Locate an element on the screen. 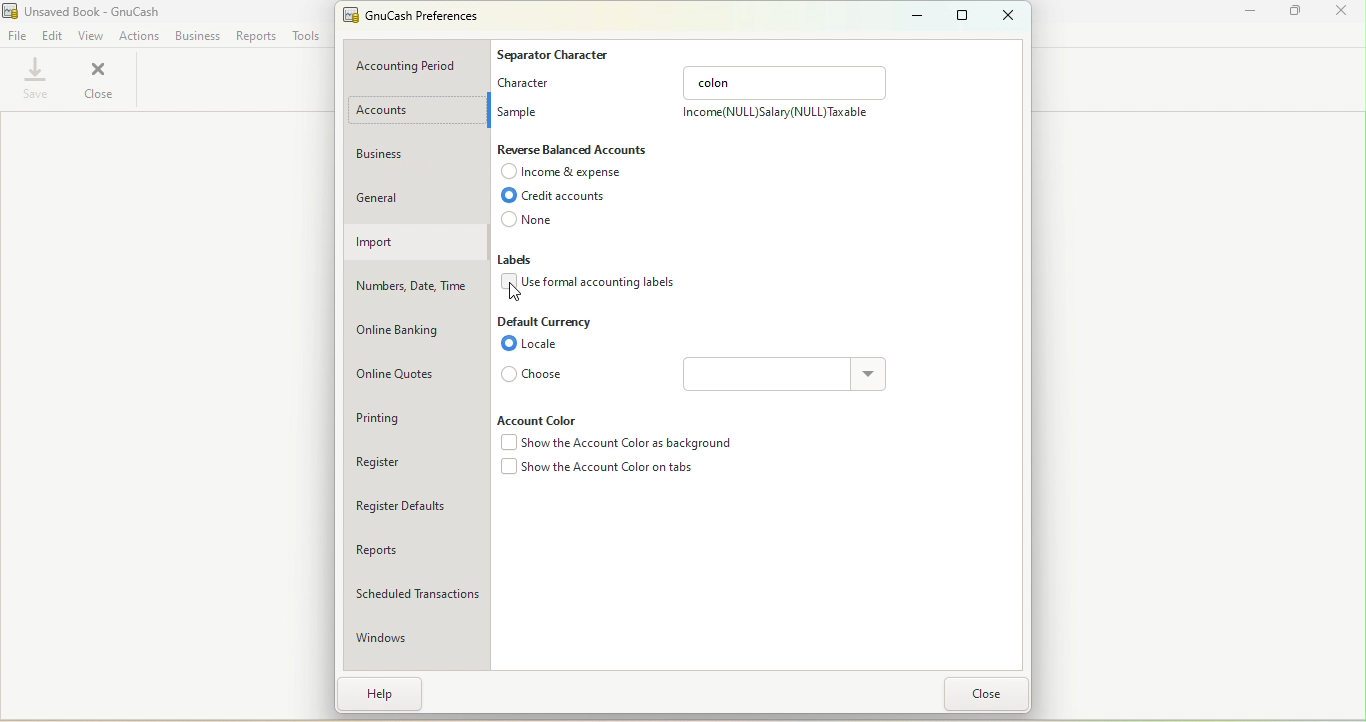 The height and width of the screenshot is (722, 1366). Drop down is located at coordinates (871, 376).